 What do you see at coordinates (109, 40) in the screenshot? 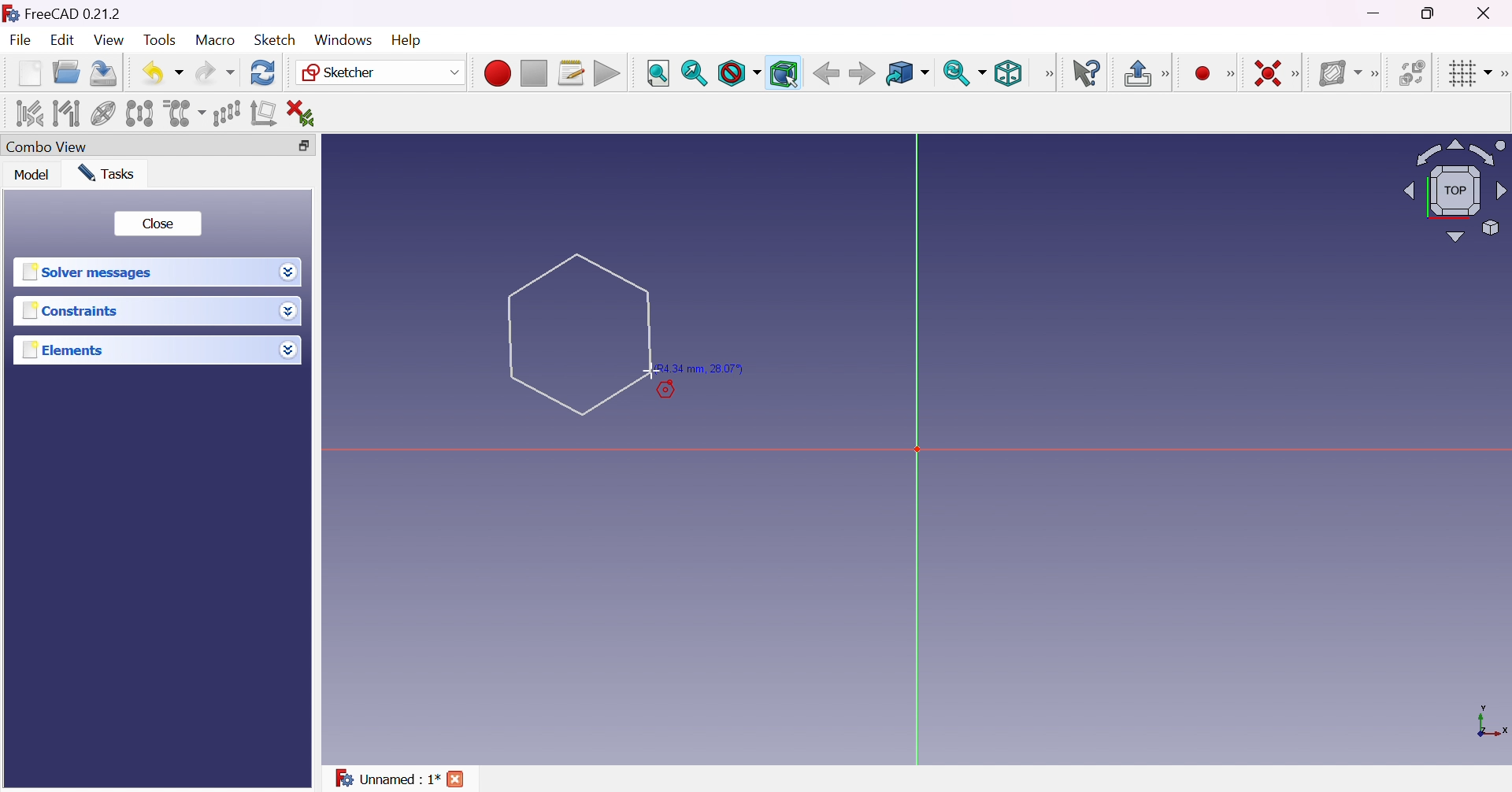
I see `View` at bounding box center [109, 40].